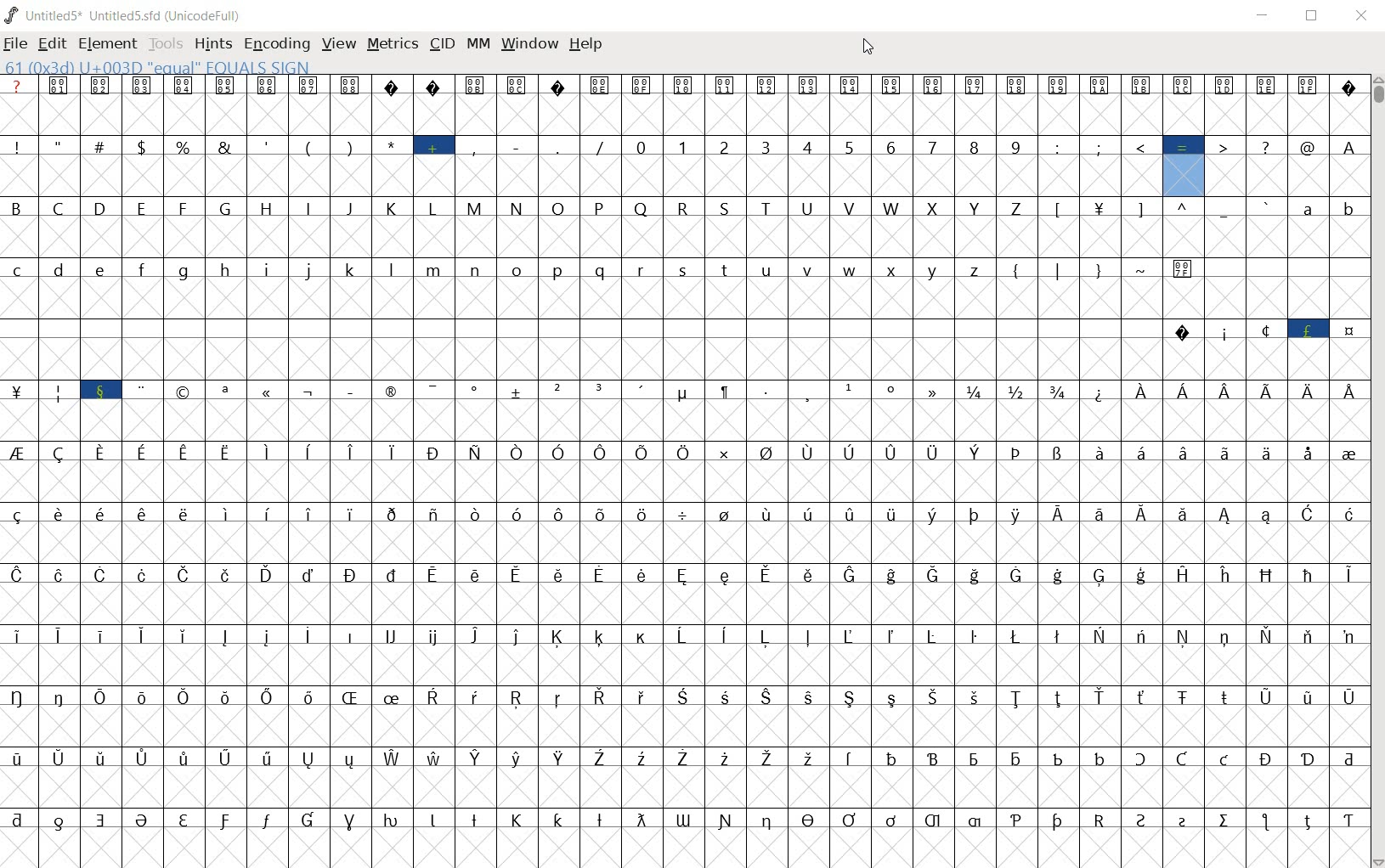 Image resolution: width=1385 pixels, height=868 pixels. I want to click on close, so click(1363, 13).